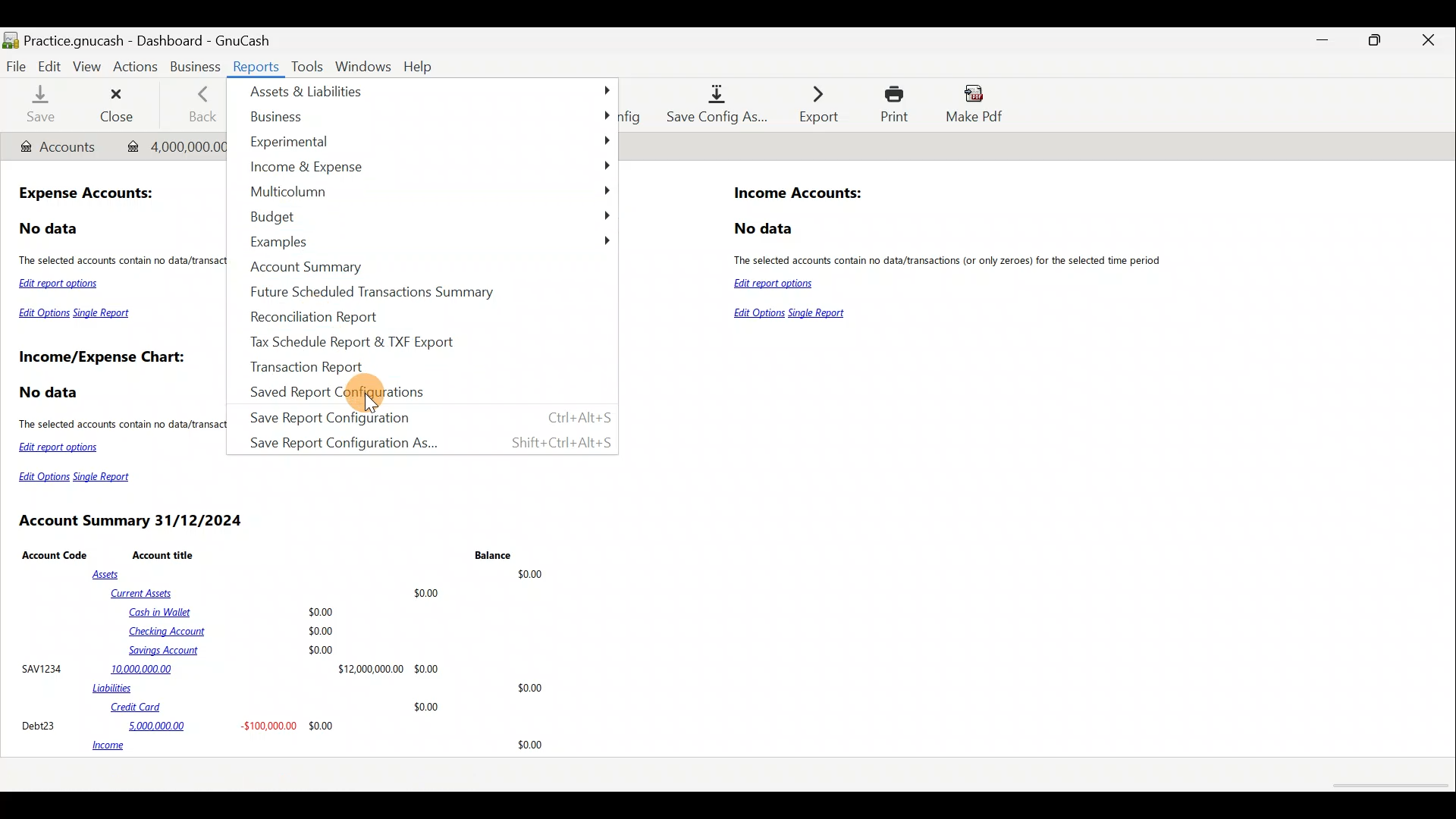  Describe the element at coordinates (80, 477) in the screenshot. I see `Edit Options Single Report` at that location.